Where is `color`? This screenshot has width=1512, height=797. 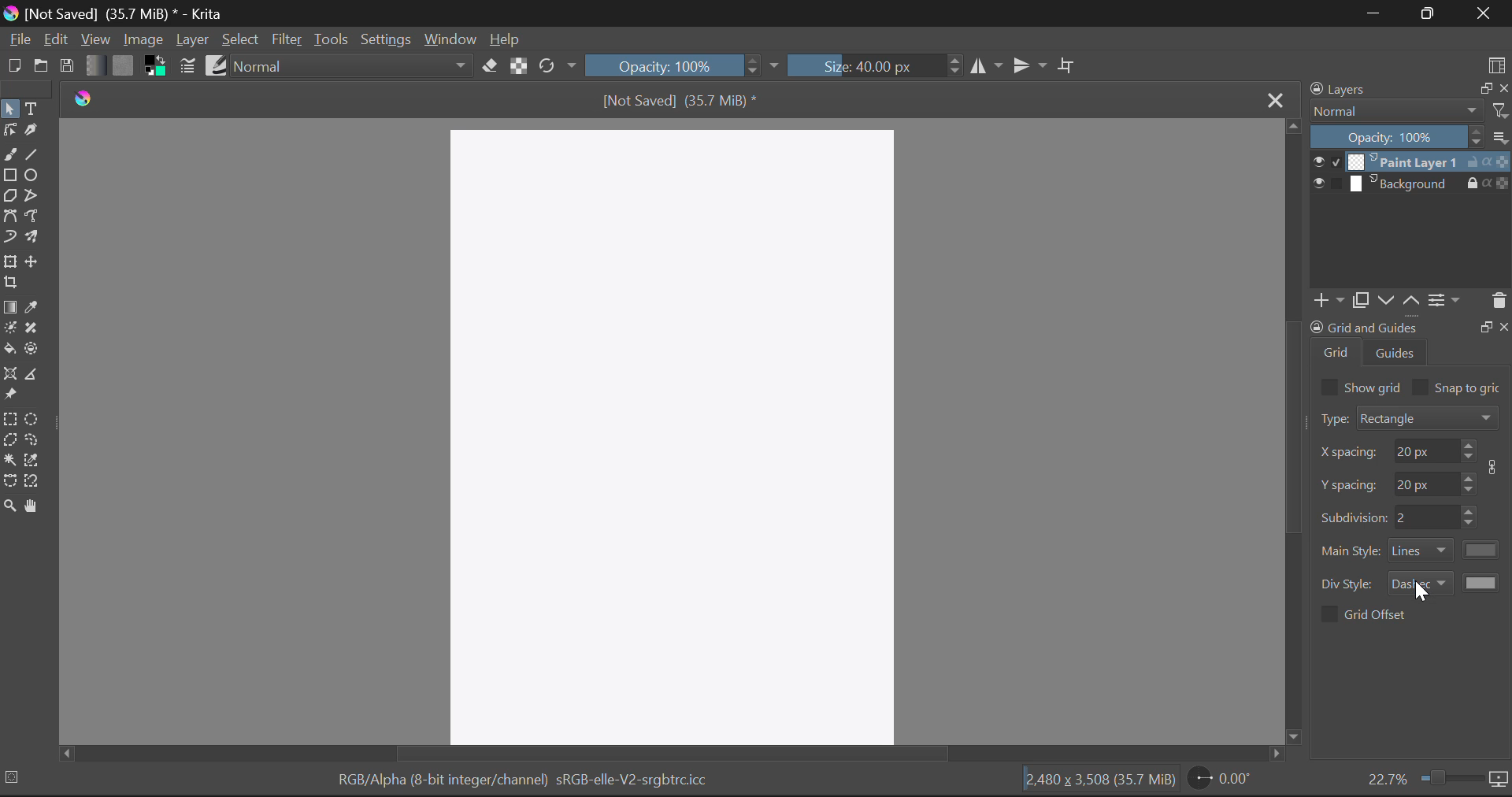
color is located at coordinates (1483, 582).